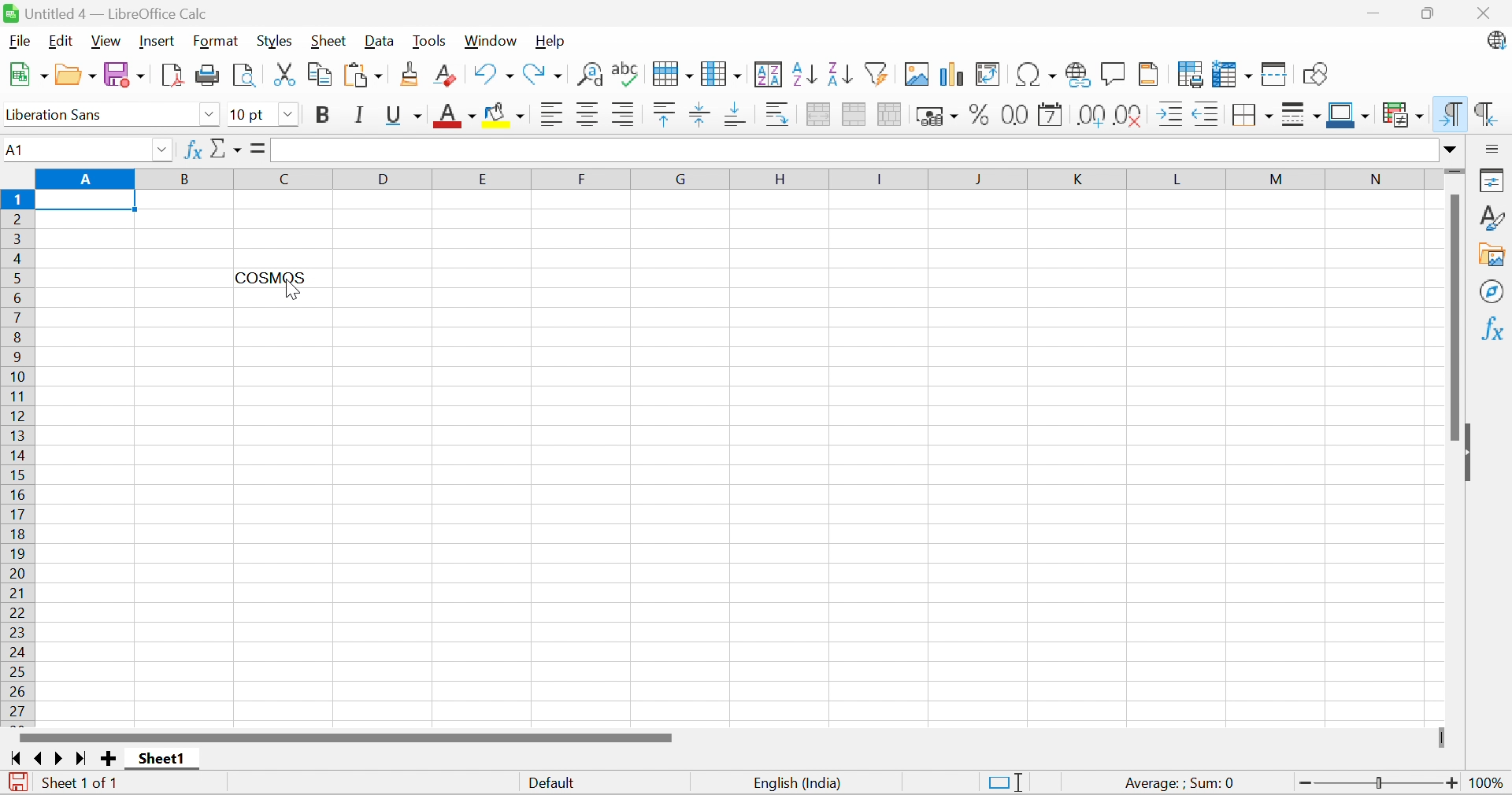 Image resolution: width=1512 pixels, height=795 pixels. What do you see at coordinates (1452, 150) in the screenshot?
I see `Drop Down` at bounding box center [1452, 150].